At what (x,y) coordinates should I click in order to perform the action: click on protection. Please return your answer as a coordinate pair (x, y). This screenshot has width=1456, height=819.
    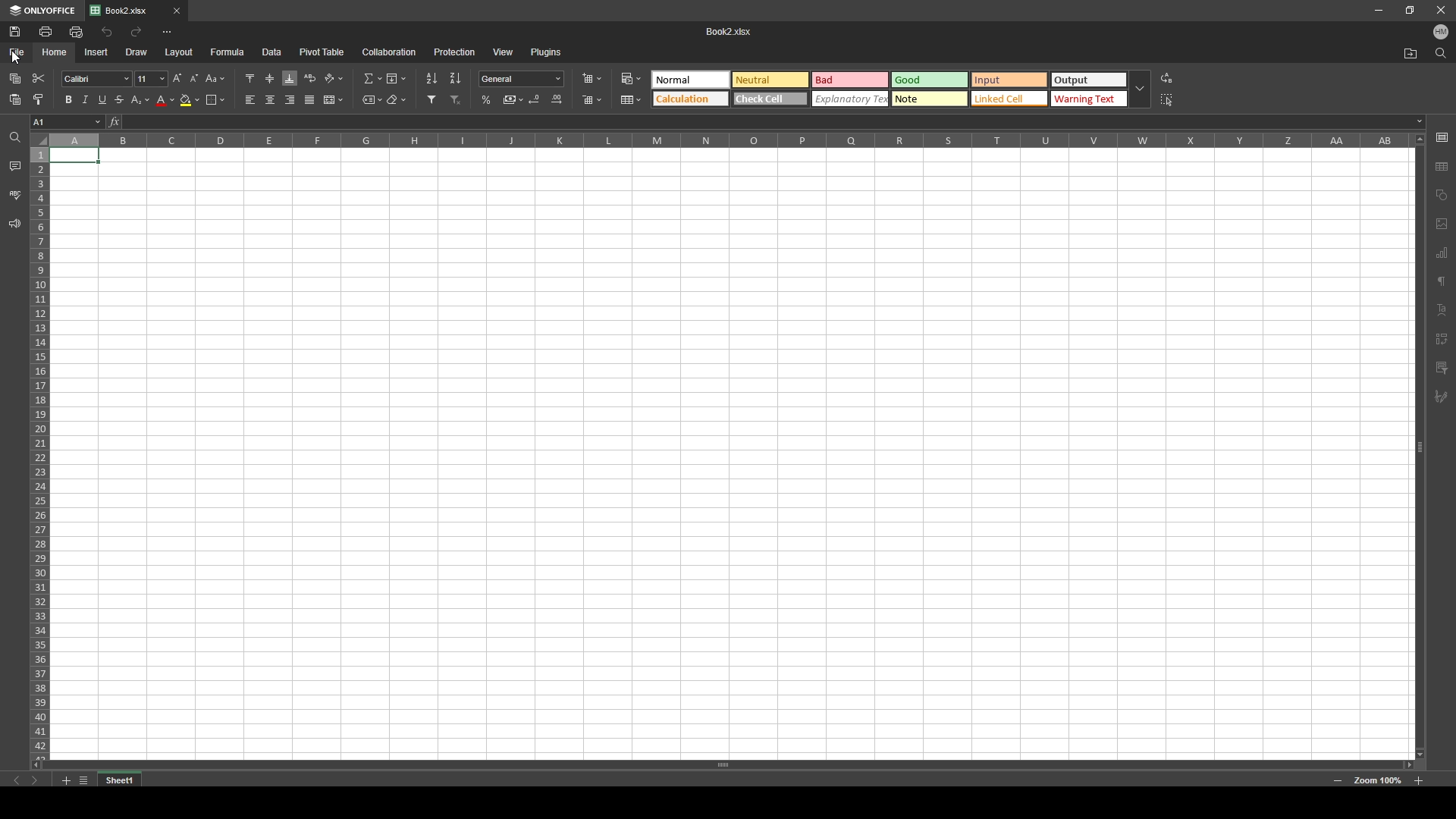
    Looking at the image, I should click on (455, 52).